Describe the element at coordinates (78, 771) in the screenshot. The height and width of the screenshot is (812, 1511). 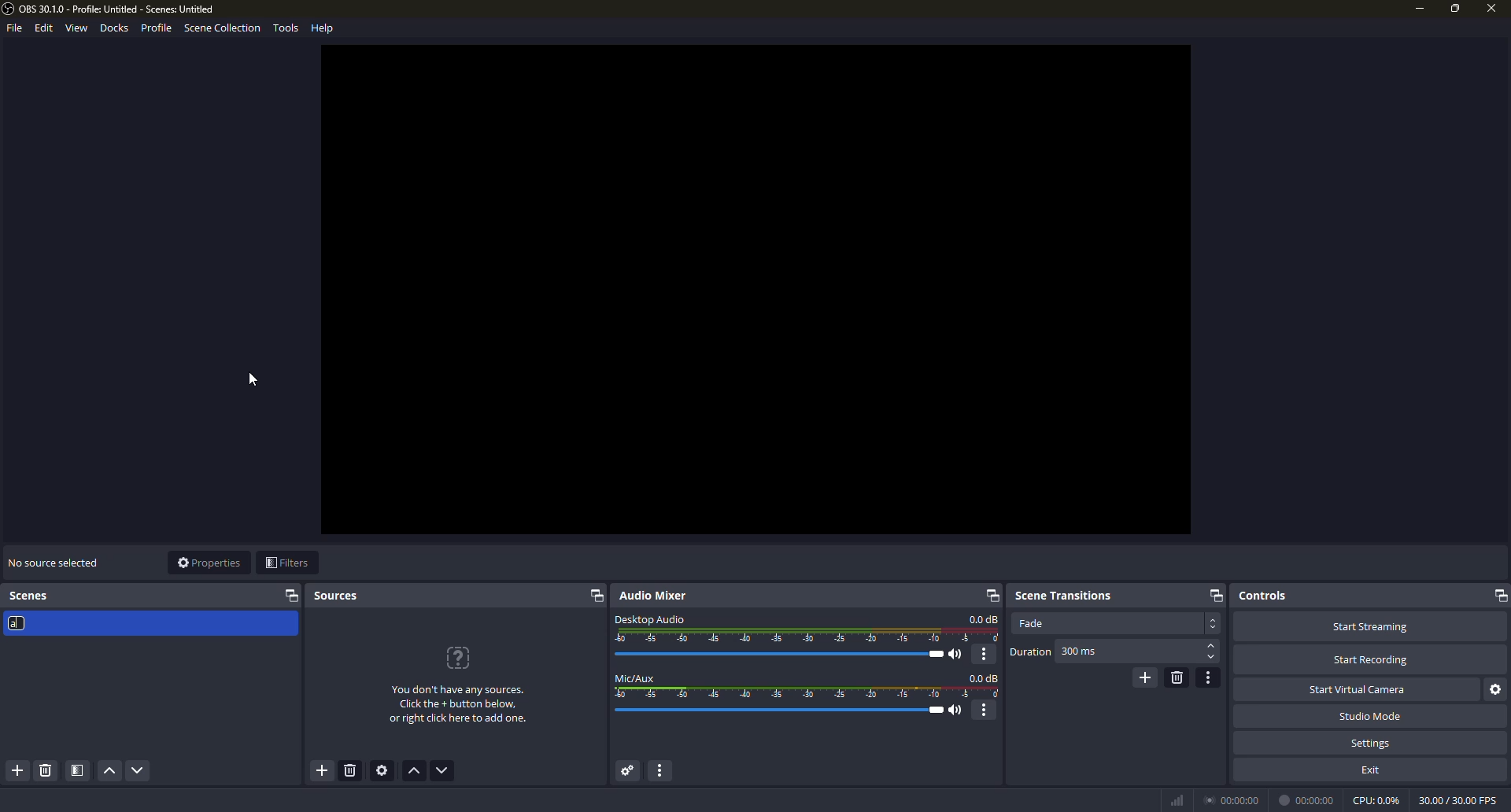
I see `open scene filters` at that location.